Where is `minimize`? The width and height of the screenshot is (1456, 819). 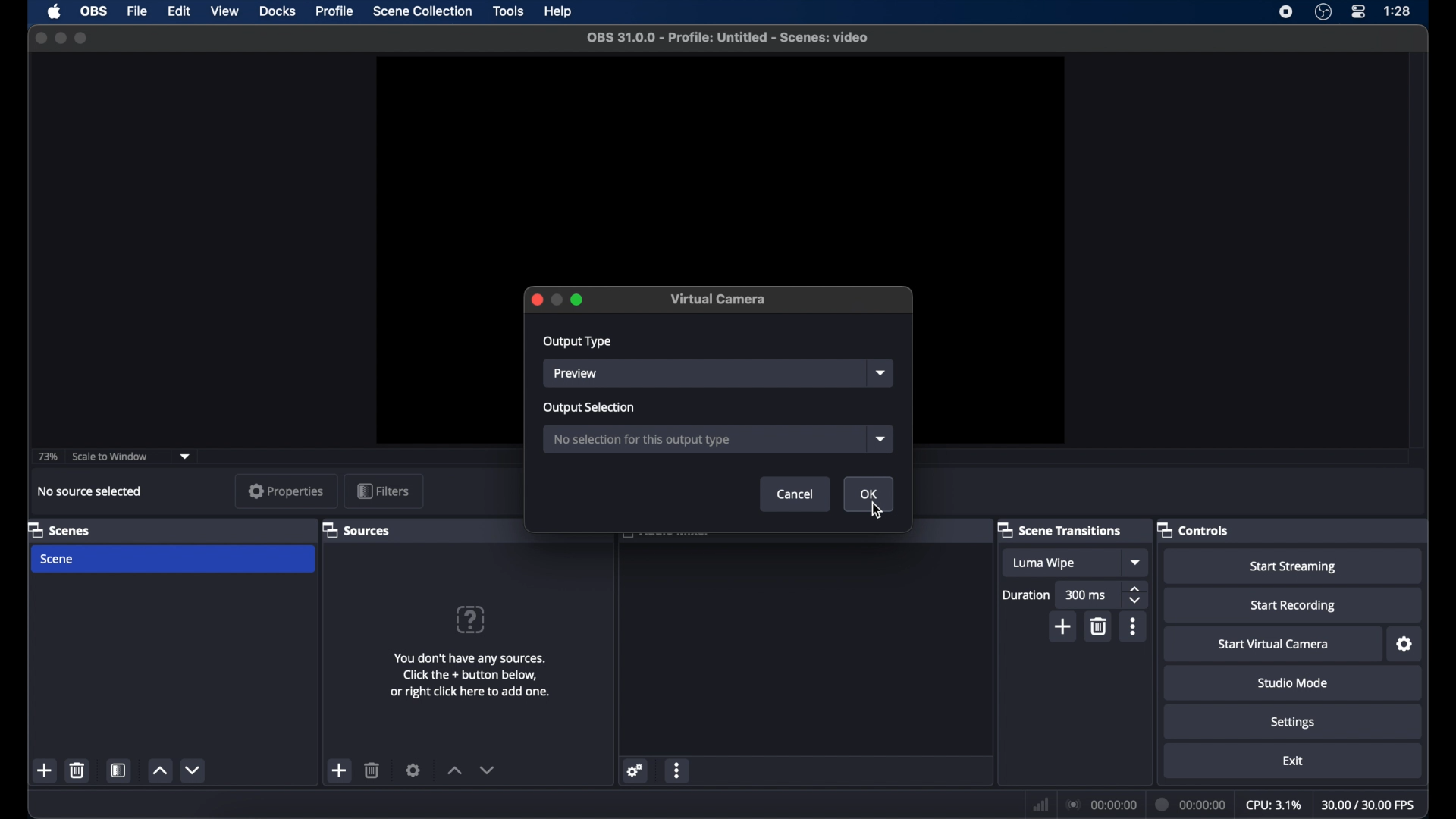 minimize is located at coordinates (60, 38).